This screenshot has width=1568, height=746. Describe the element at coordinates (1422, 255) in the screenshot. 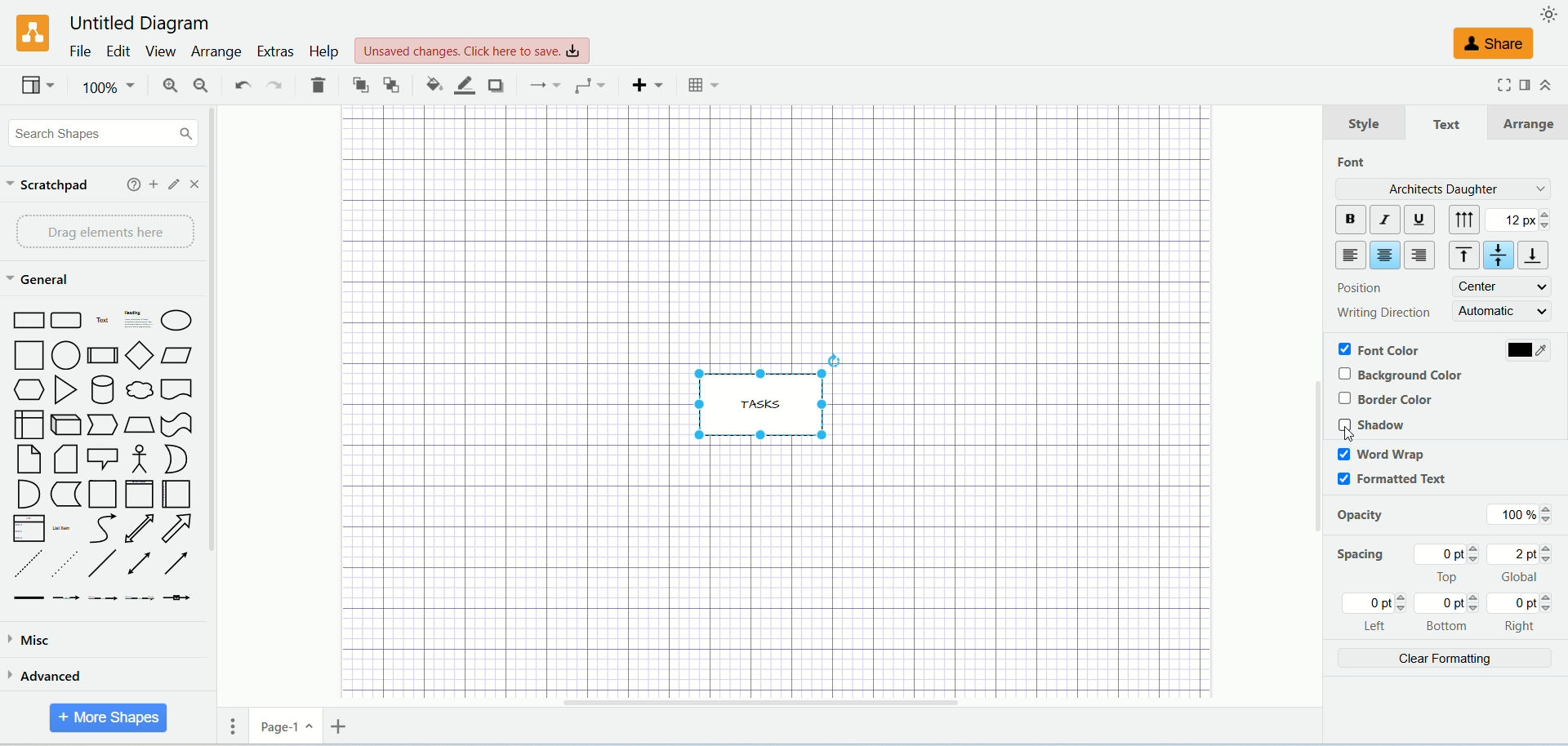

I see `right` at that location.